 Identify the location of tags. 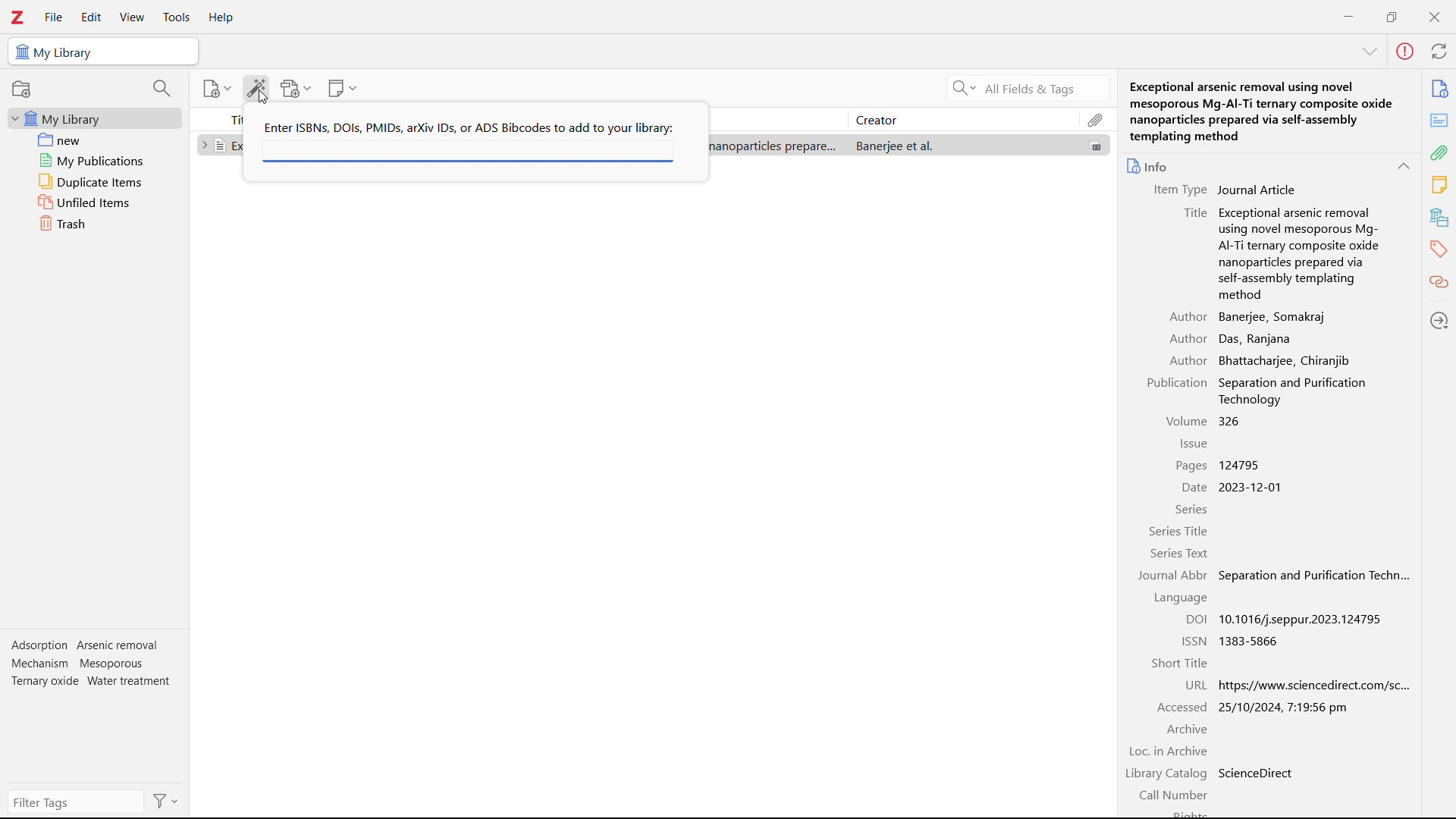
(1440, 248).